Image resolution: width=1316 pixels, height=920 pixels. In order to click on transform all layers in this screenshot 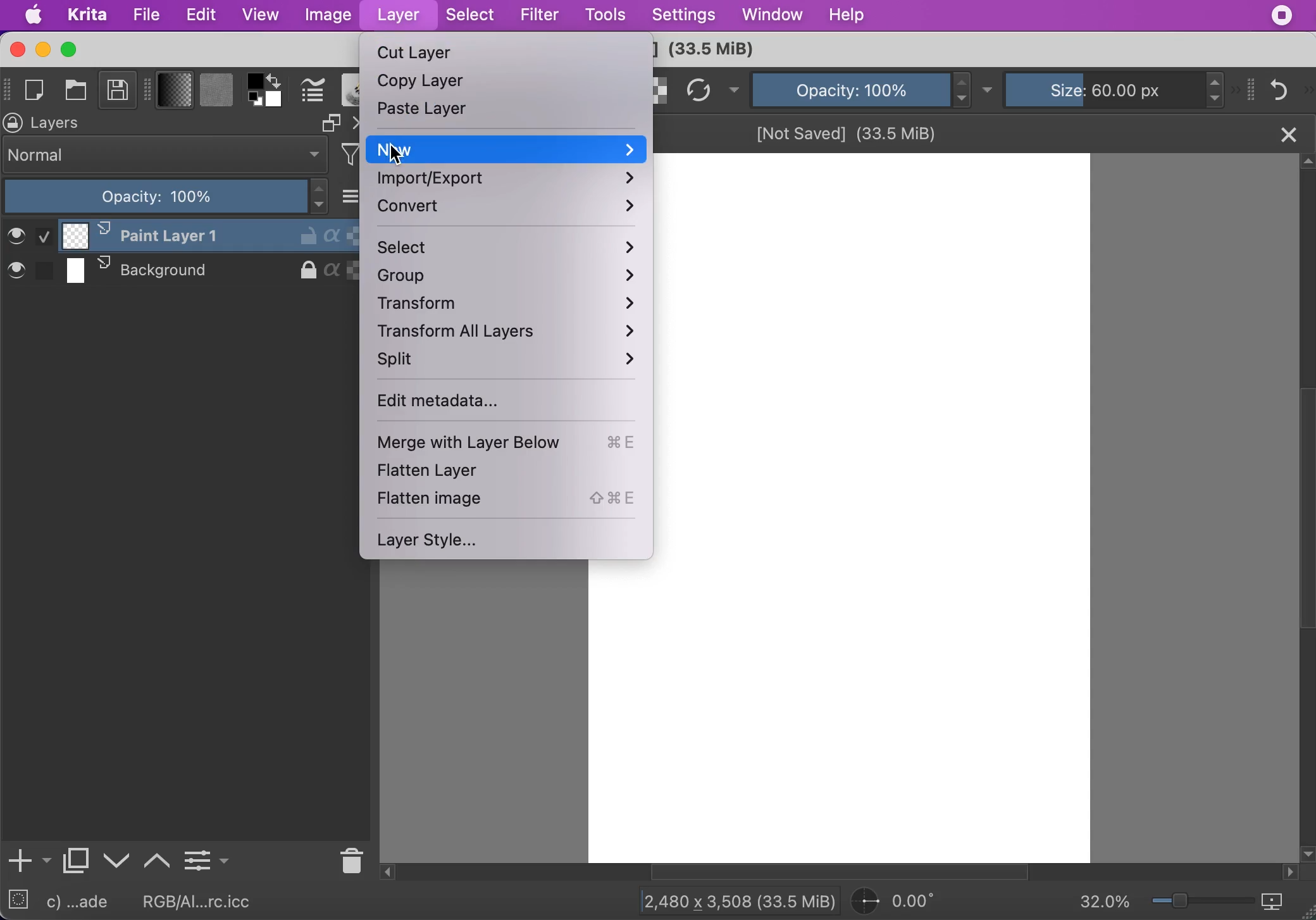, I will do `click(514, 335)`.